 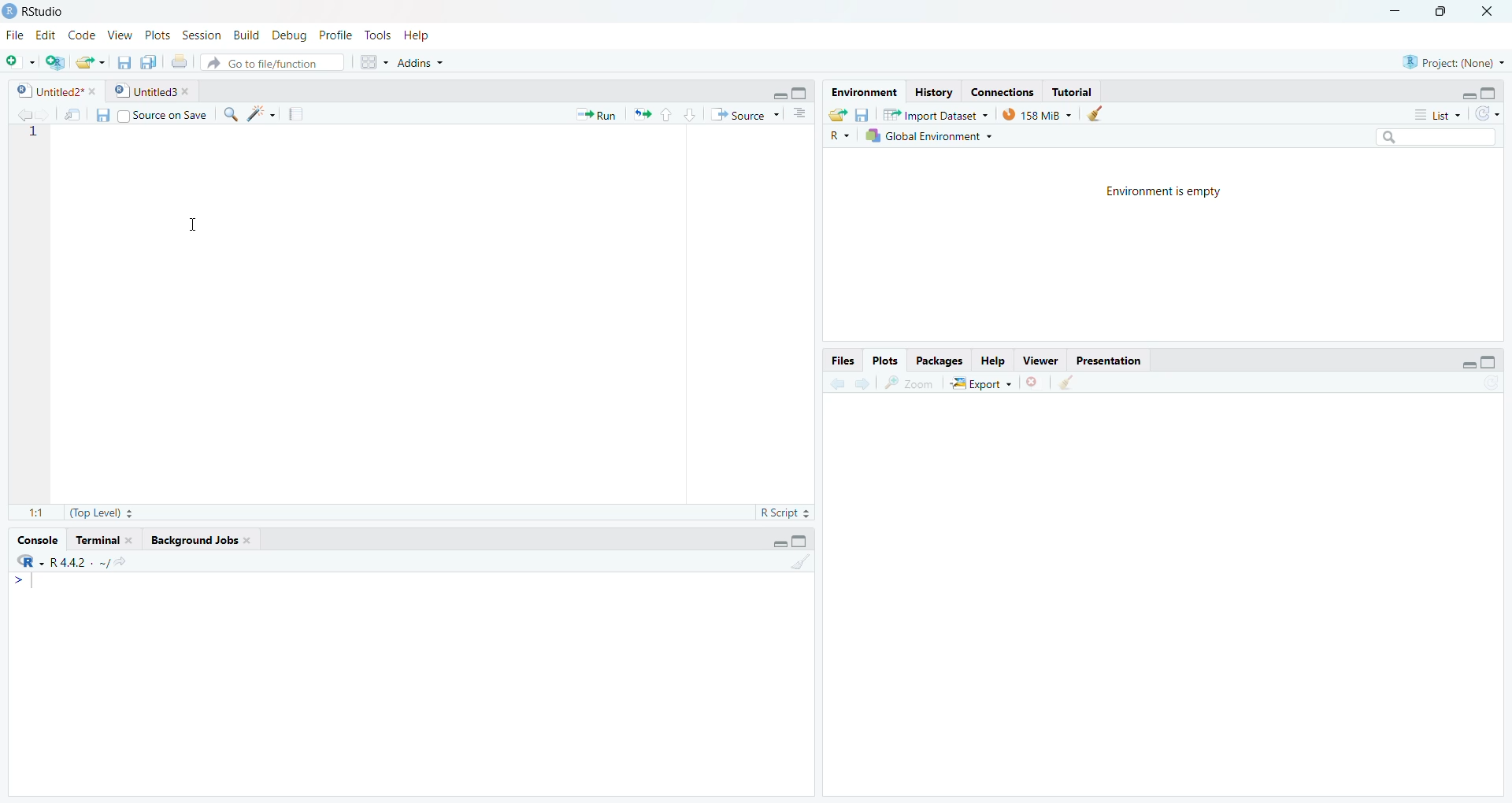 What do you see at coordinates (117, 33) in the screenshot?
I see `View` at bounding box center [117, 33].